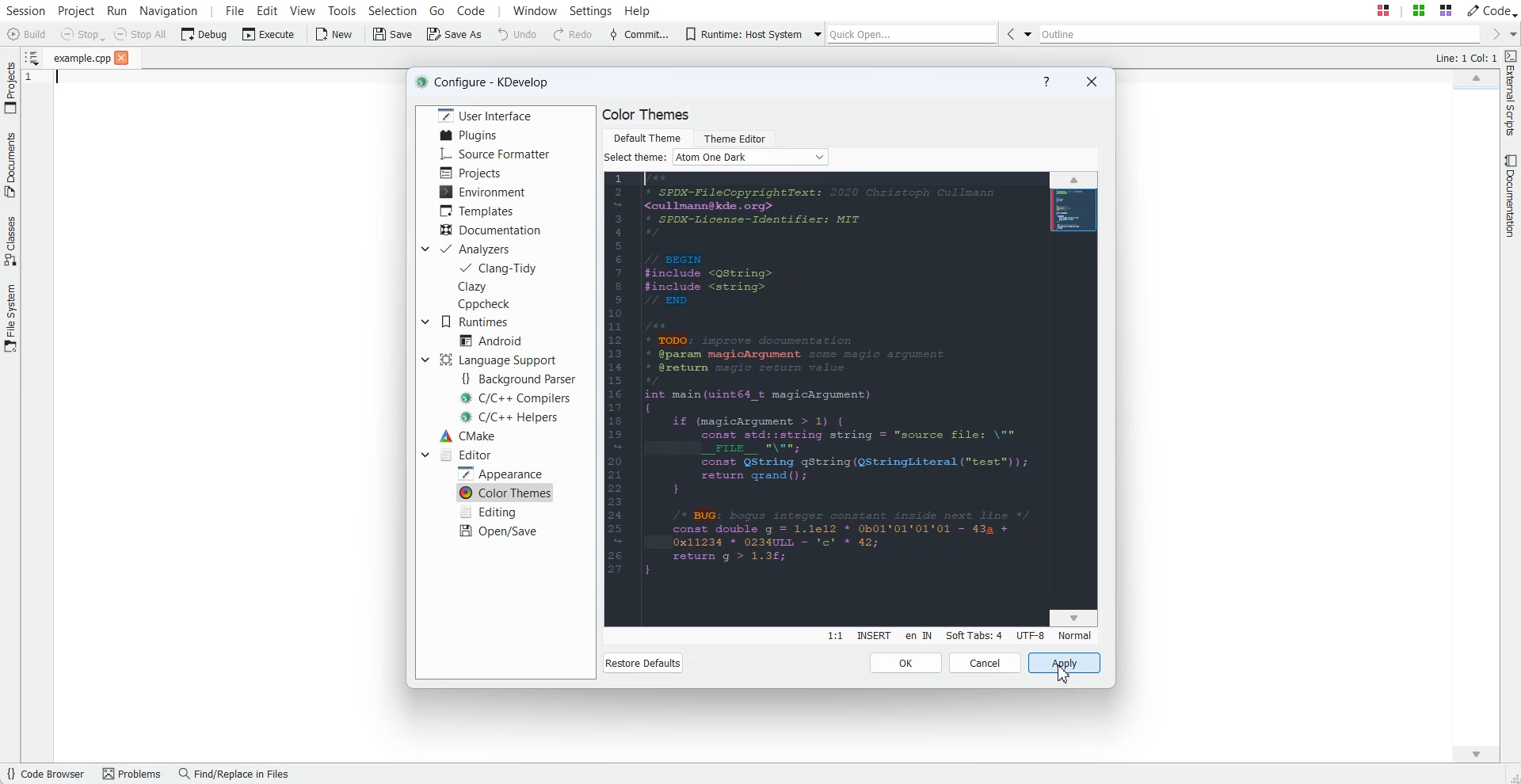  I want to click on Documentation, so click(1511, 196).